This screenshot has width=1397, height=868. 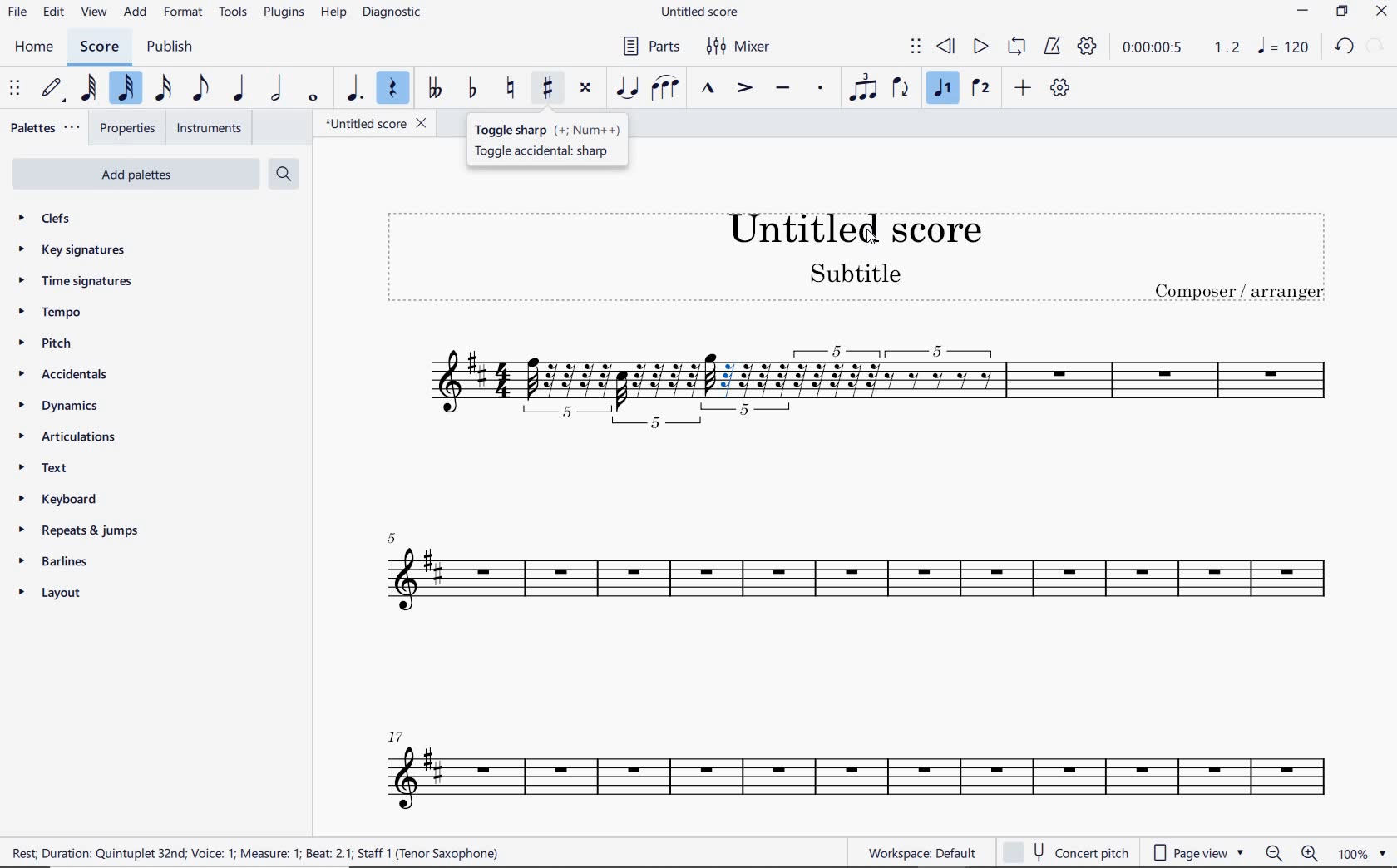 I want to click on MARCATO, so click(x=708, y=91).